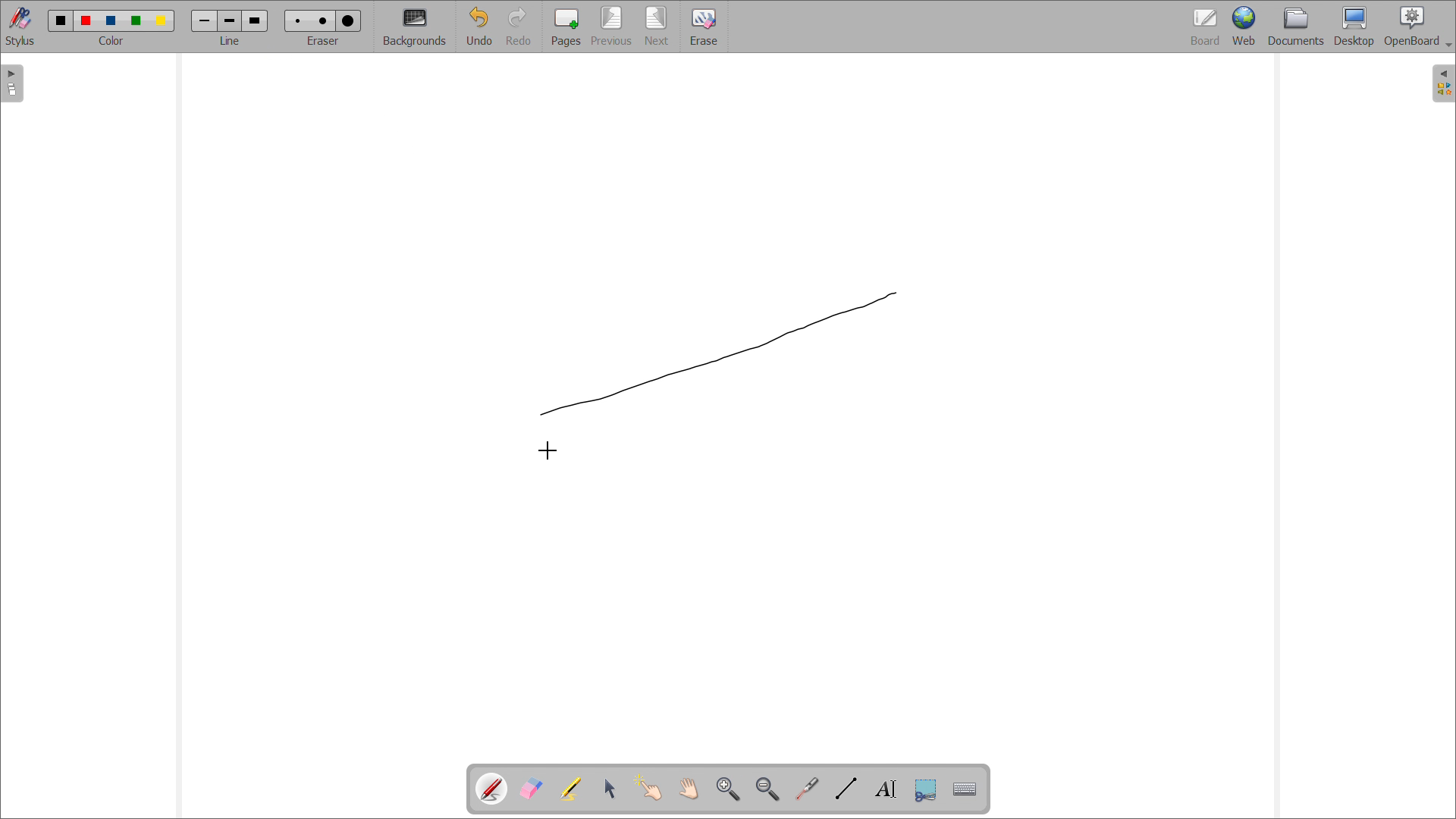  I want to click on virtual keyboard, so click(966, 790).